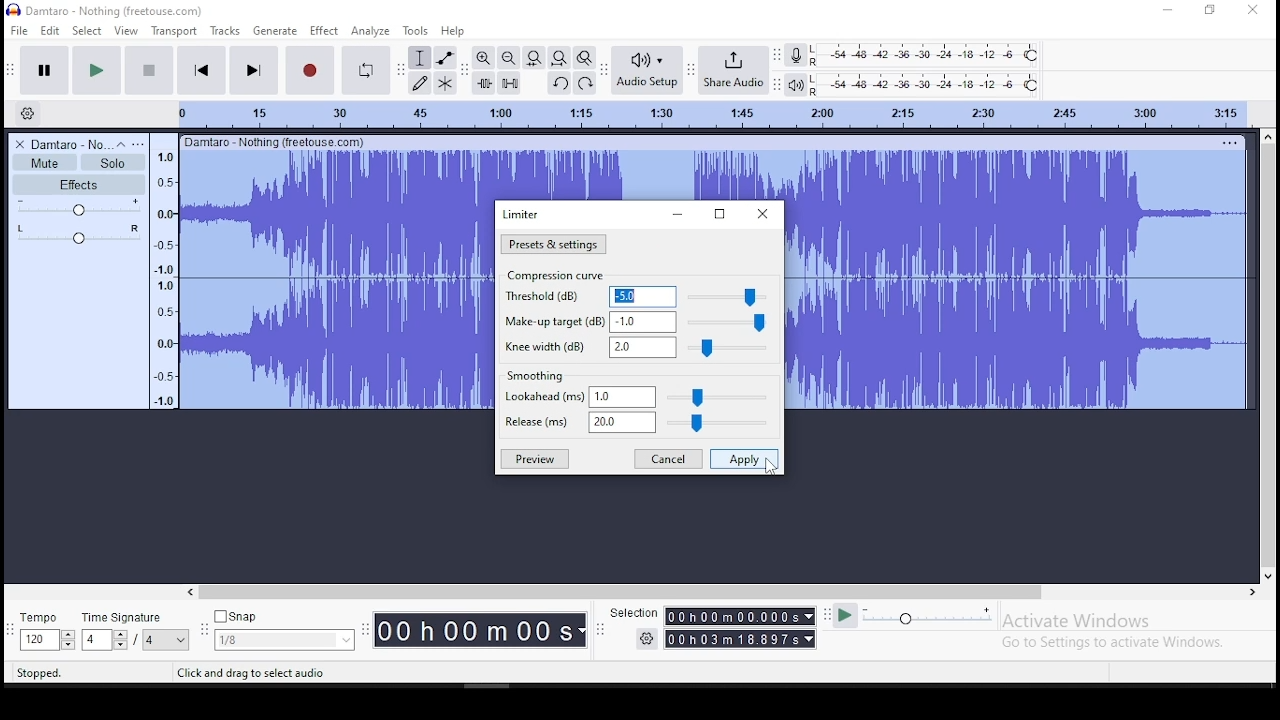 Image resolution: width=1280 pixels, height=720 pixels. What do you see at coordinates (638, 322) in the screenshot?
I see `makeup target` at bounding box center [638, 322].